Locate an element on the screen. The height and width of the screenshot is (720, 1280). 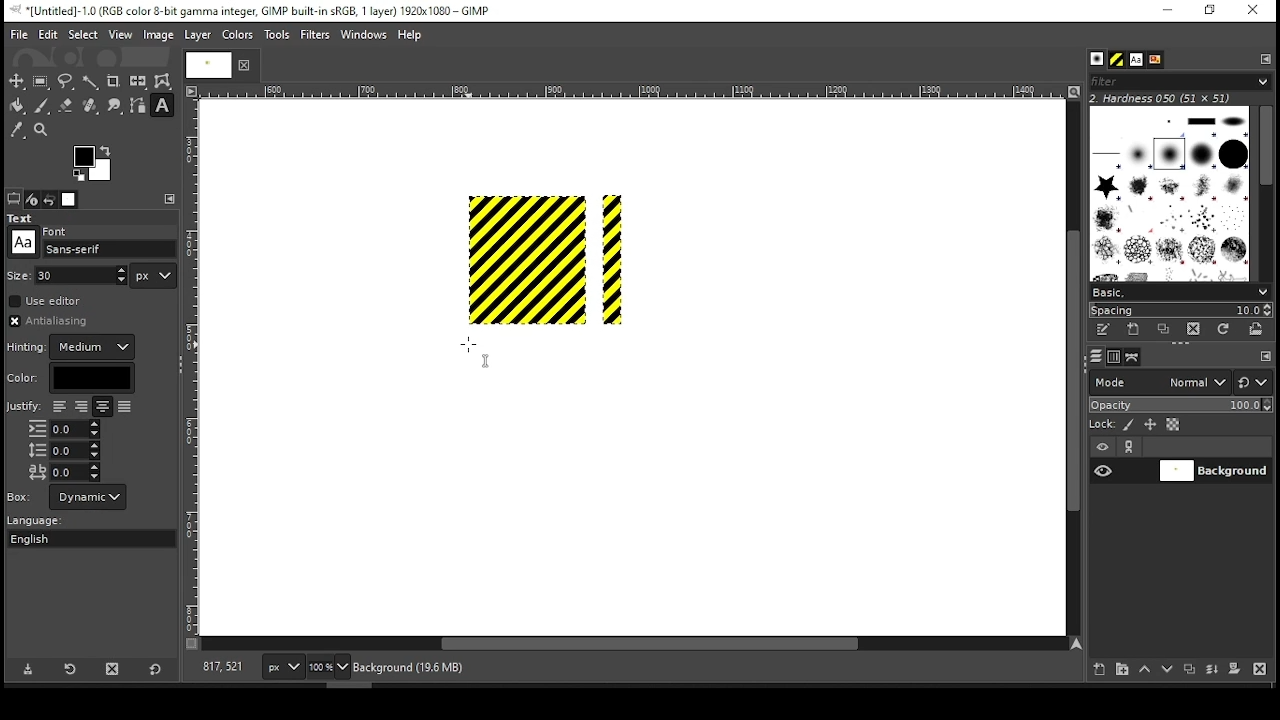
justify center is located at coordinates (102, 407).